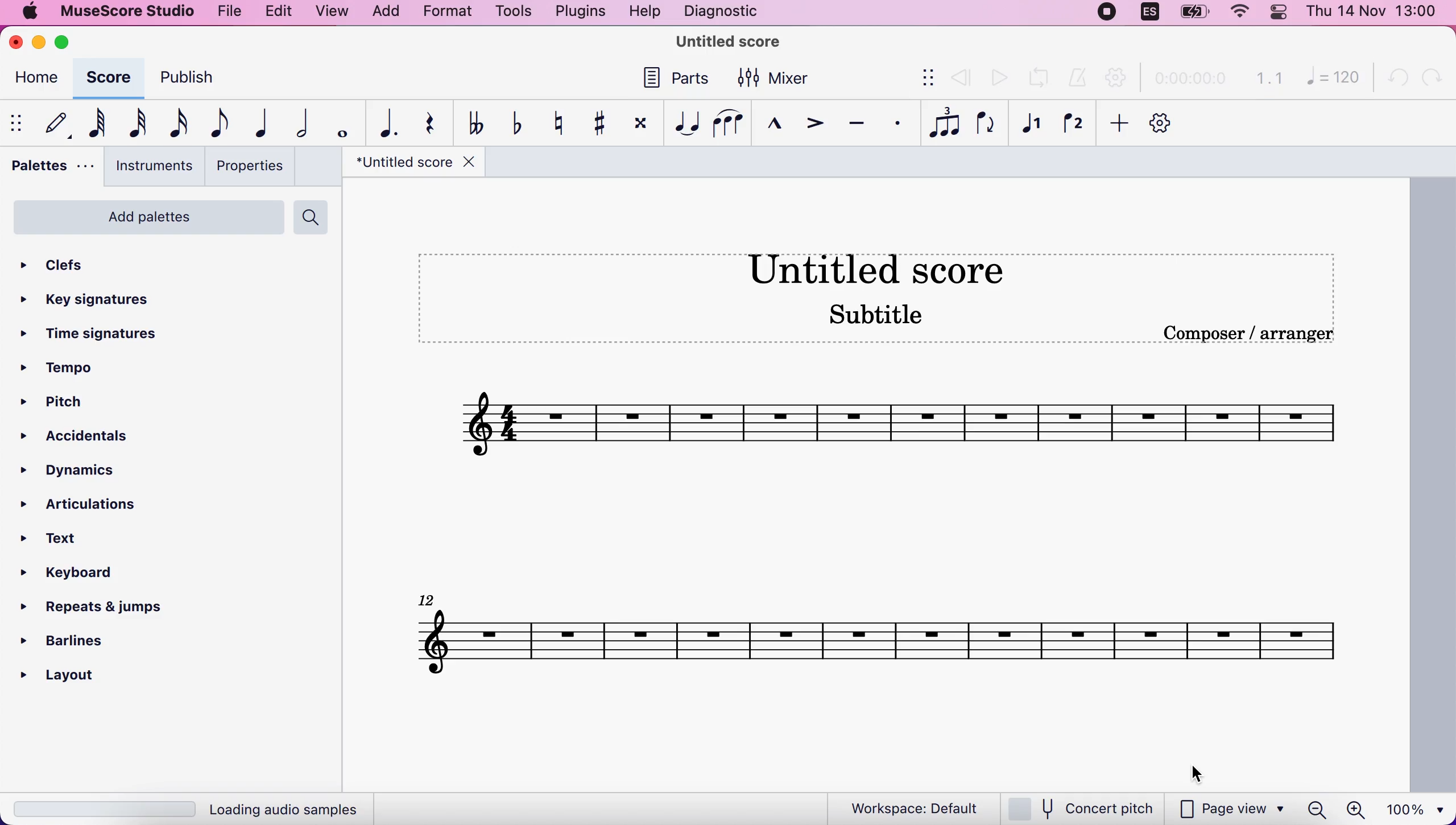  What do you see at coordinates (254, 166) in the screenshot?
I see `properties` at bounding box center [254, 166].